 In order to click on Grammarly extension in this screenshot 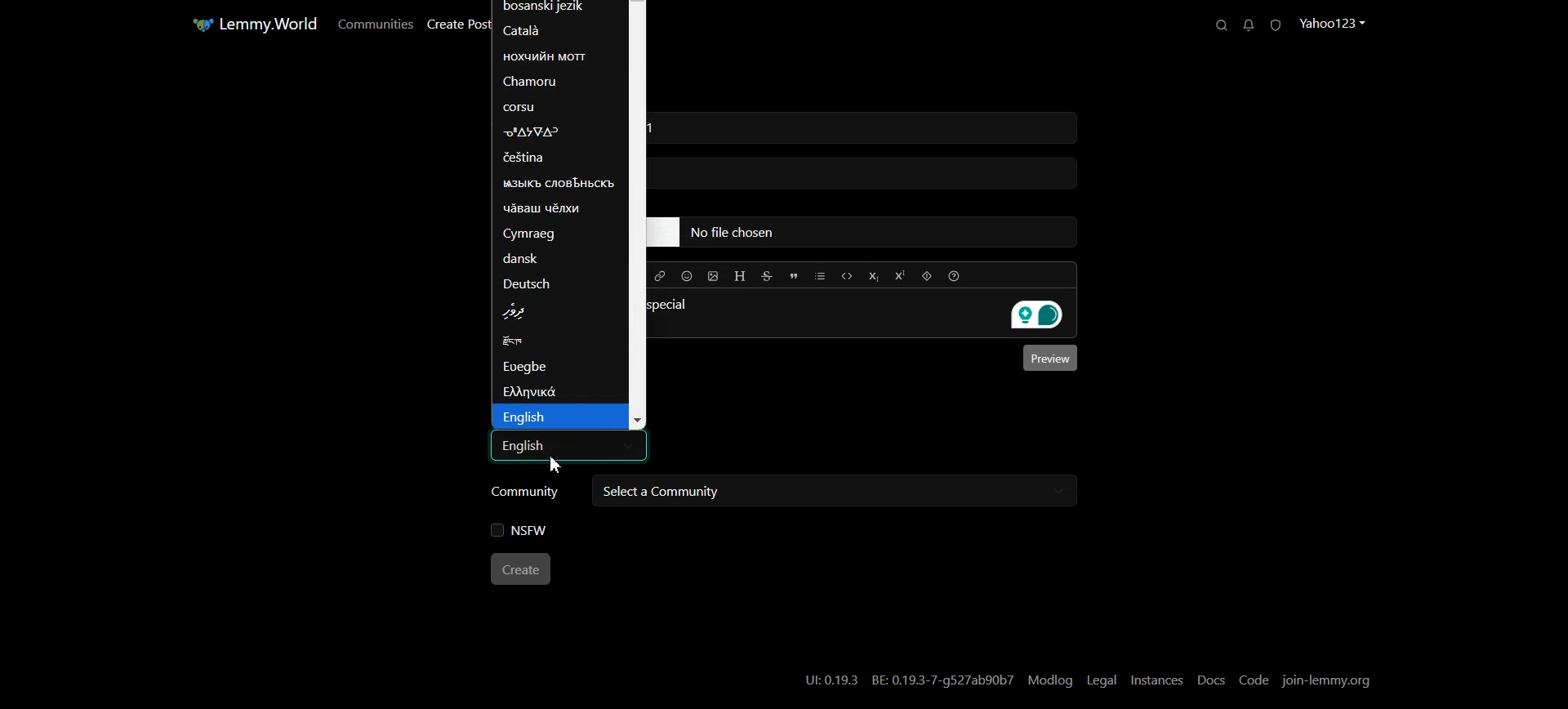, I will do `click(1043, 316)`.